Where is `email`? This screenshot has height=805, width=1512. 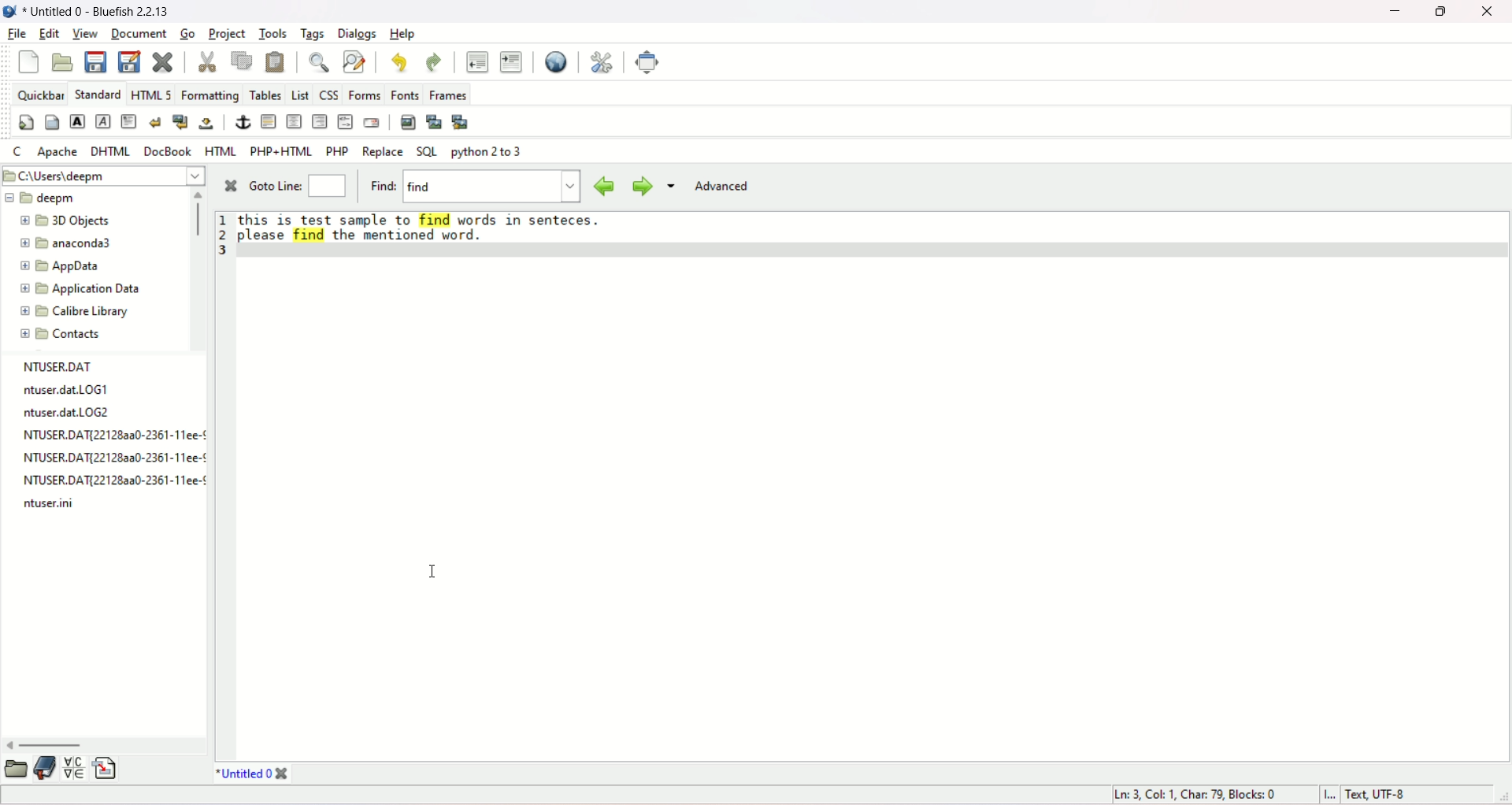 email is located at coordinates (370, 121).